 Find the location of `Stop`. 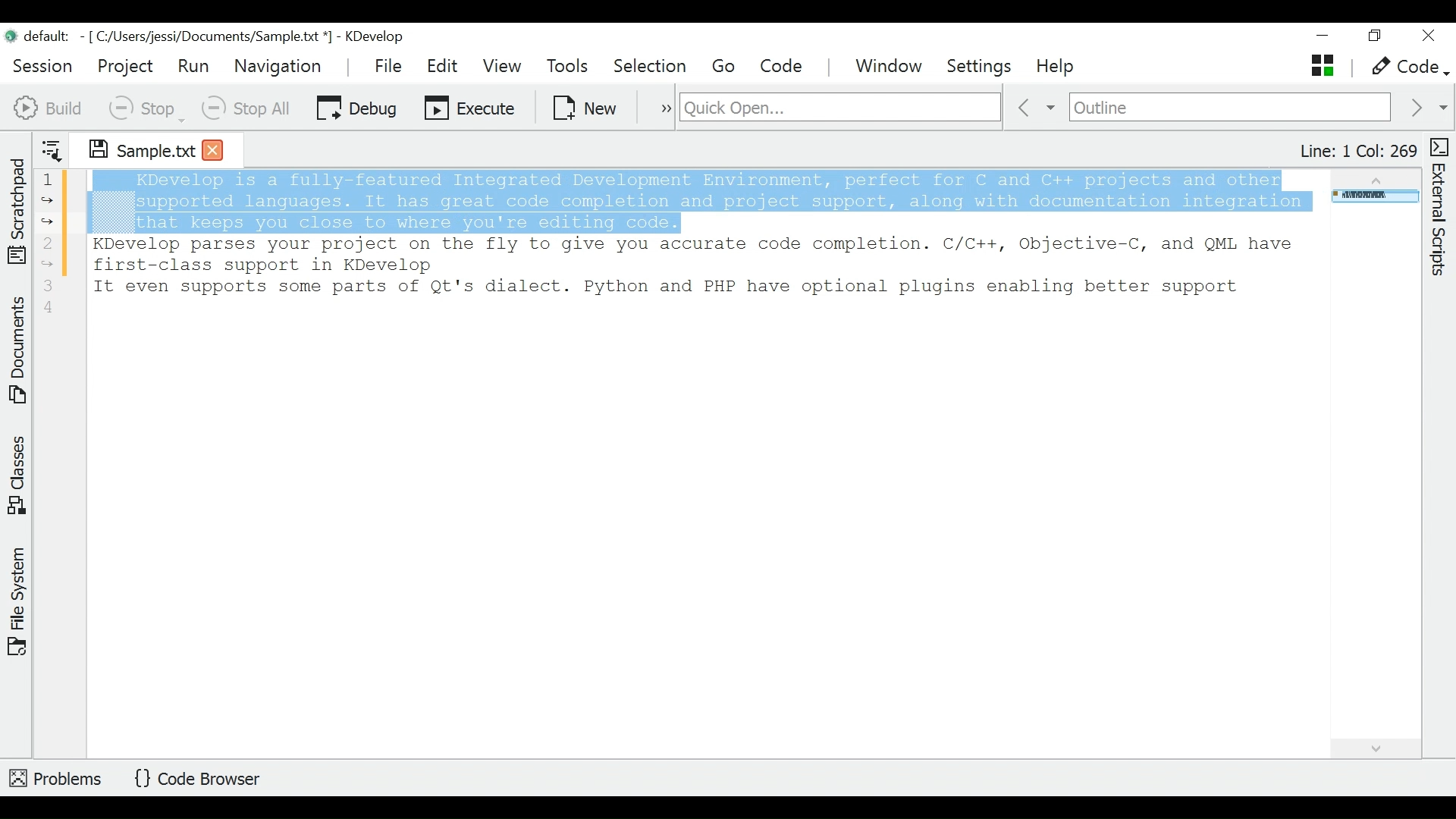

Stop is located at coordinates (145, 108).